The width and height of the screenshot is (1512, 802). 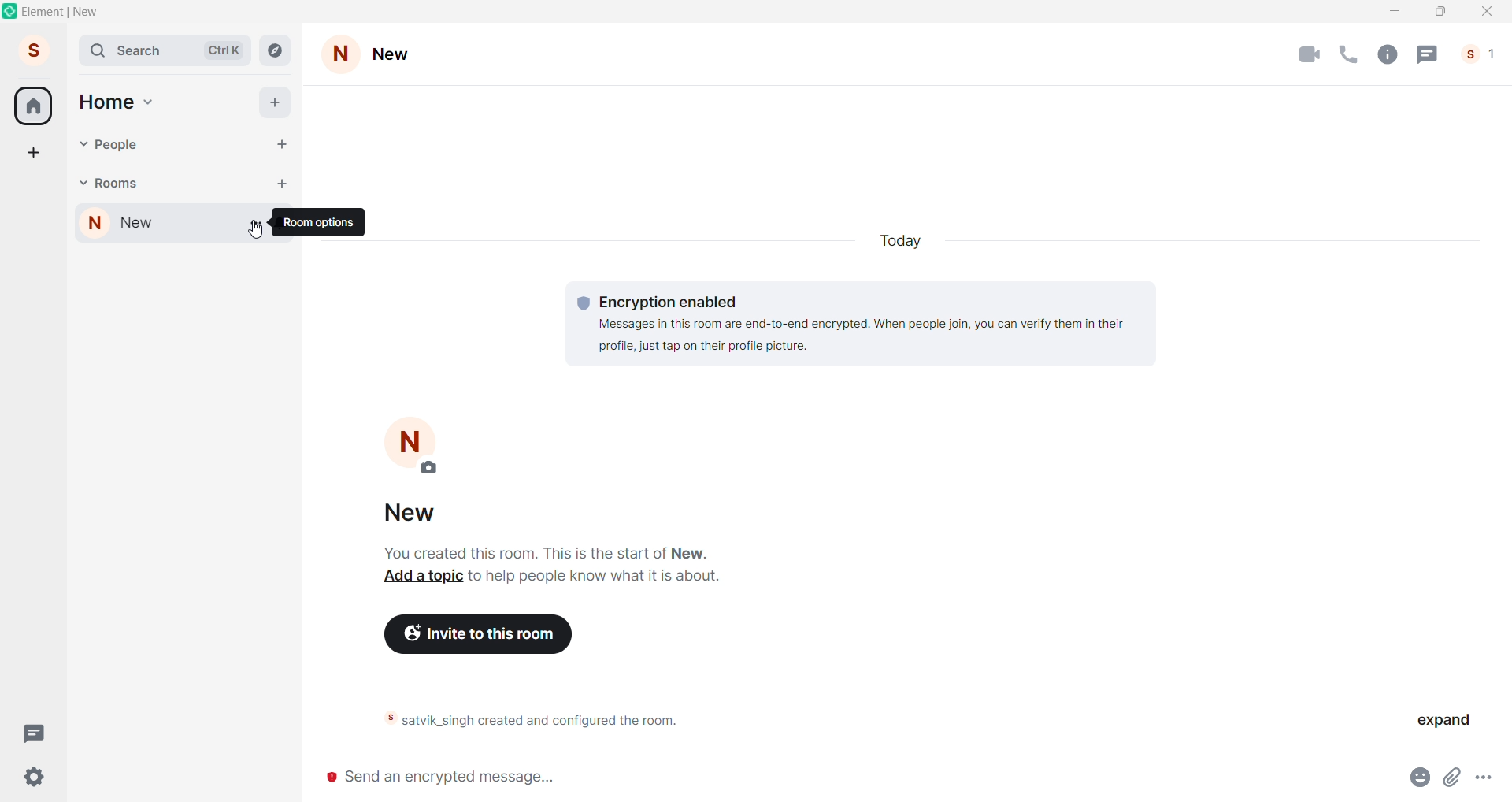 What do you see at coordinates (1488, 778) in the screenshot?
I see `more options` at bounding box center [1488, 778].